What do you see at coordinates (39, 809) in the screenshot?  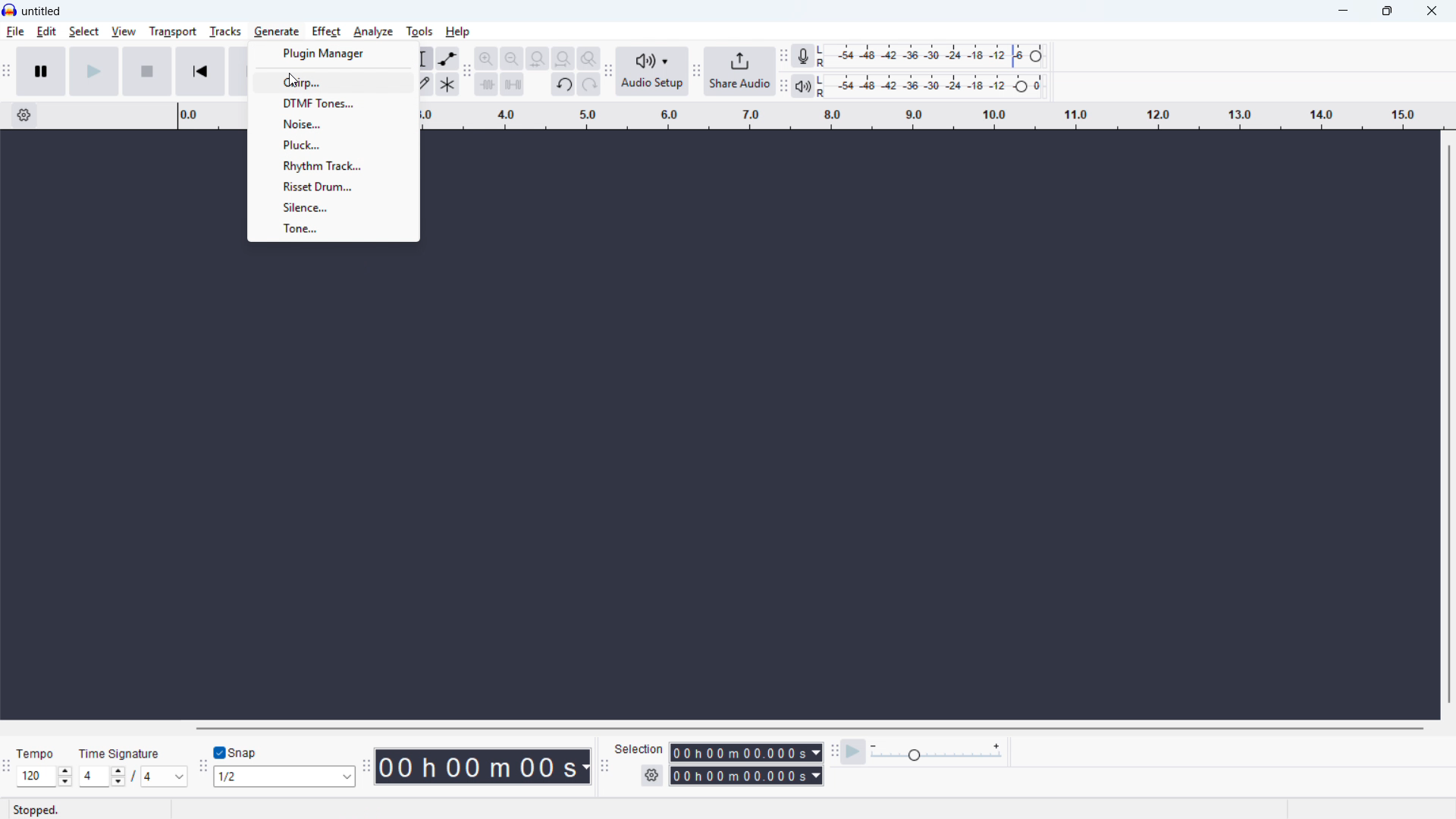 I see `Status: stopped` at bounding box center [39, 809].